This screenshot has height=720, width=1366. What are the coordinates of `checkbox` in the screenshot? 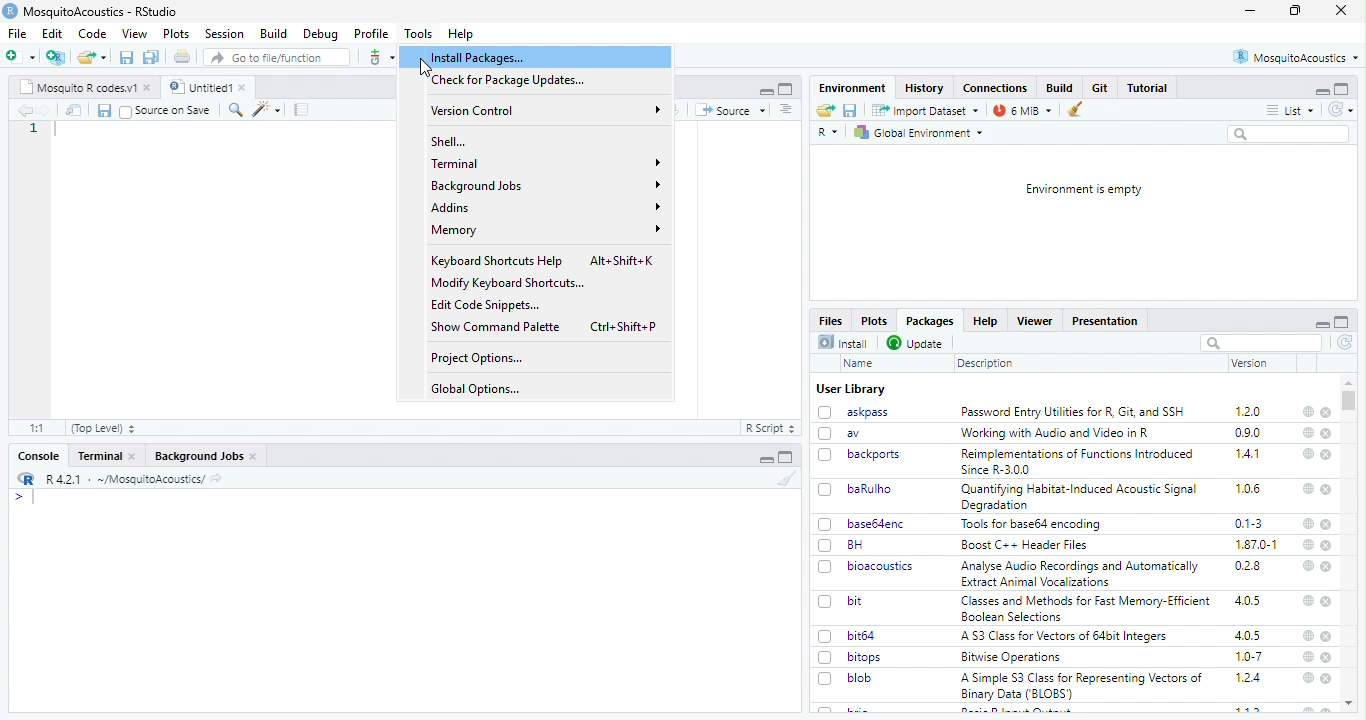 It's located at (825, 679).